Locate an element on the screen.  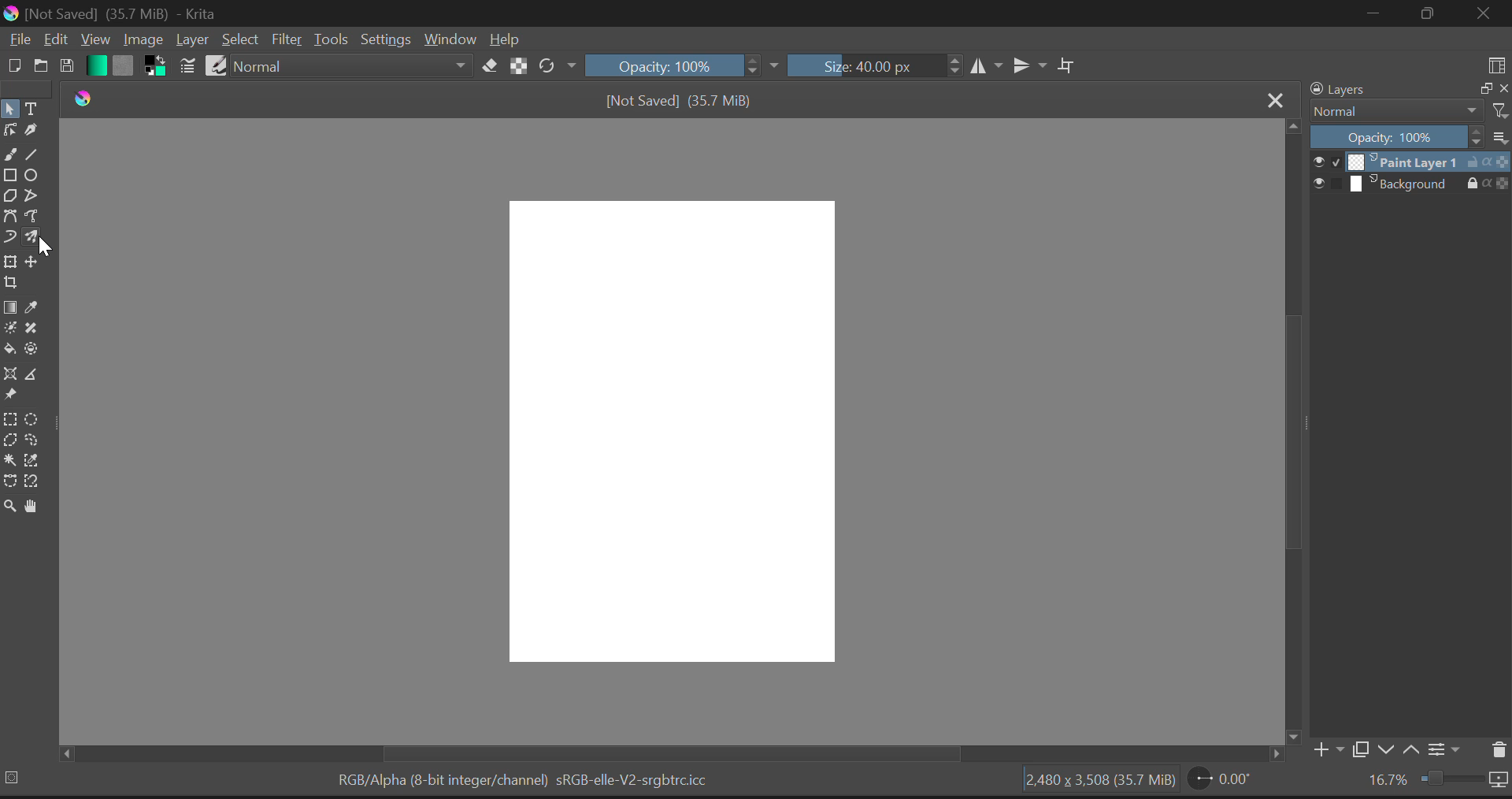
Brush Presets is located at coordinates (217, 65).